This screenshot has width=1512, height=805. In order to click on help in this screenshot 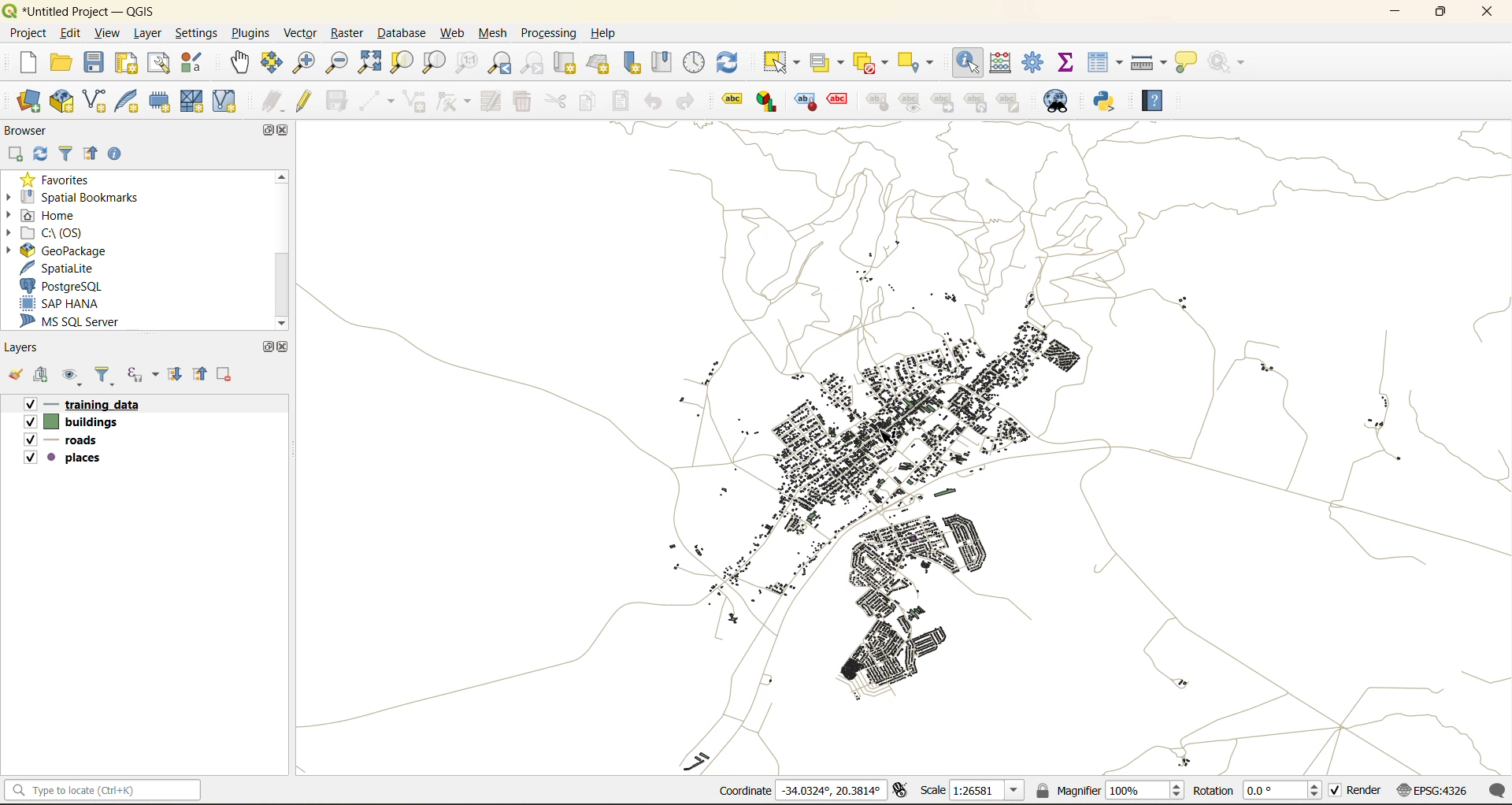, I will do `click(610, 33)`.